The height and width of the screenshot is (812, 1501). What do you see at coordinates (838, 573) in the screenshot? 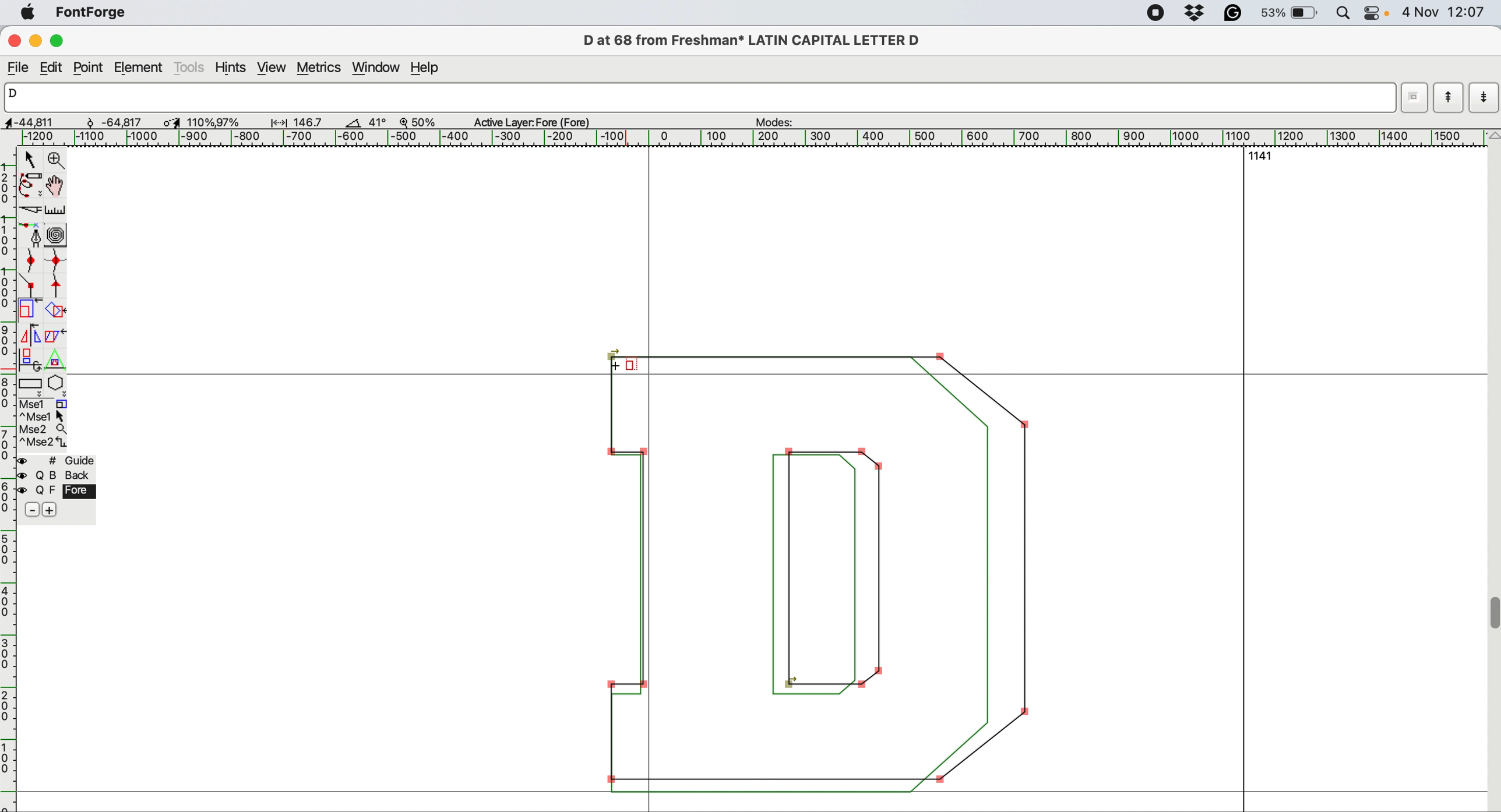
I see `D letter to edit` at bounding box center [838, 573].